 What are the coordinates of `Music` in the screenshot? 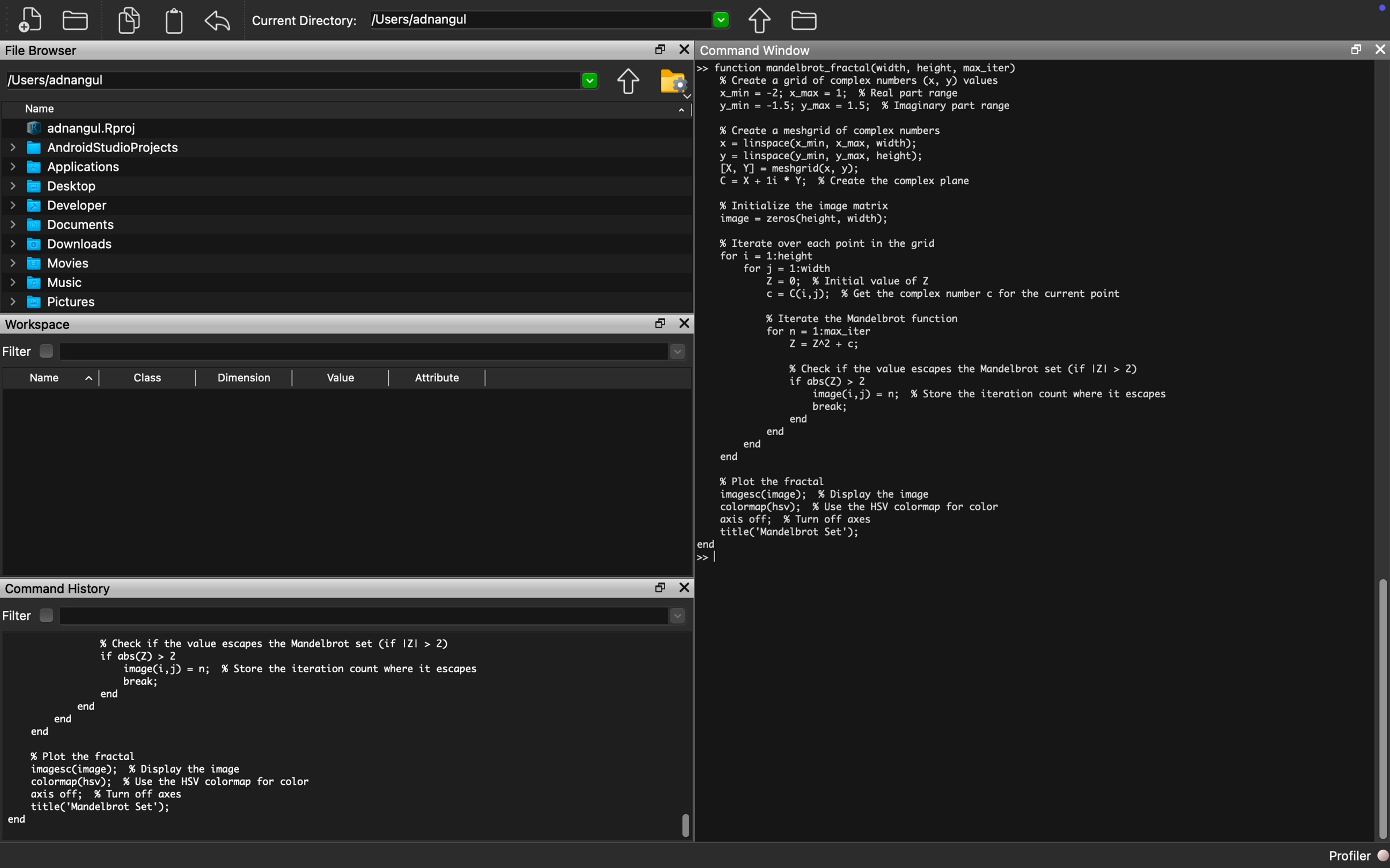 It's located at (48, 284).